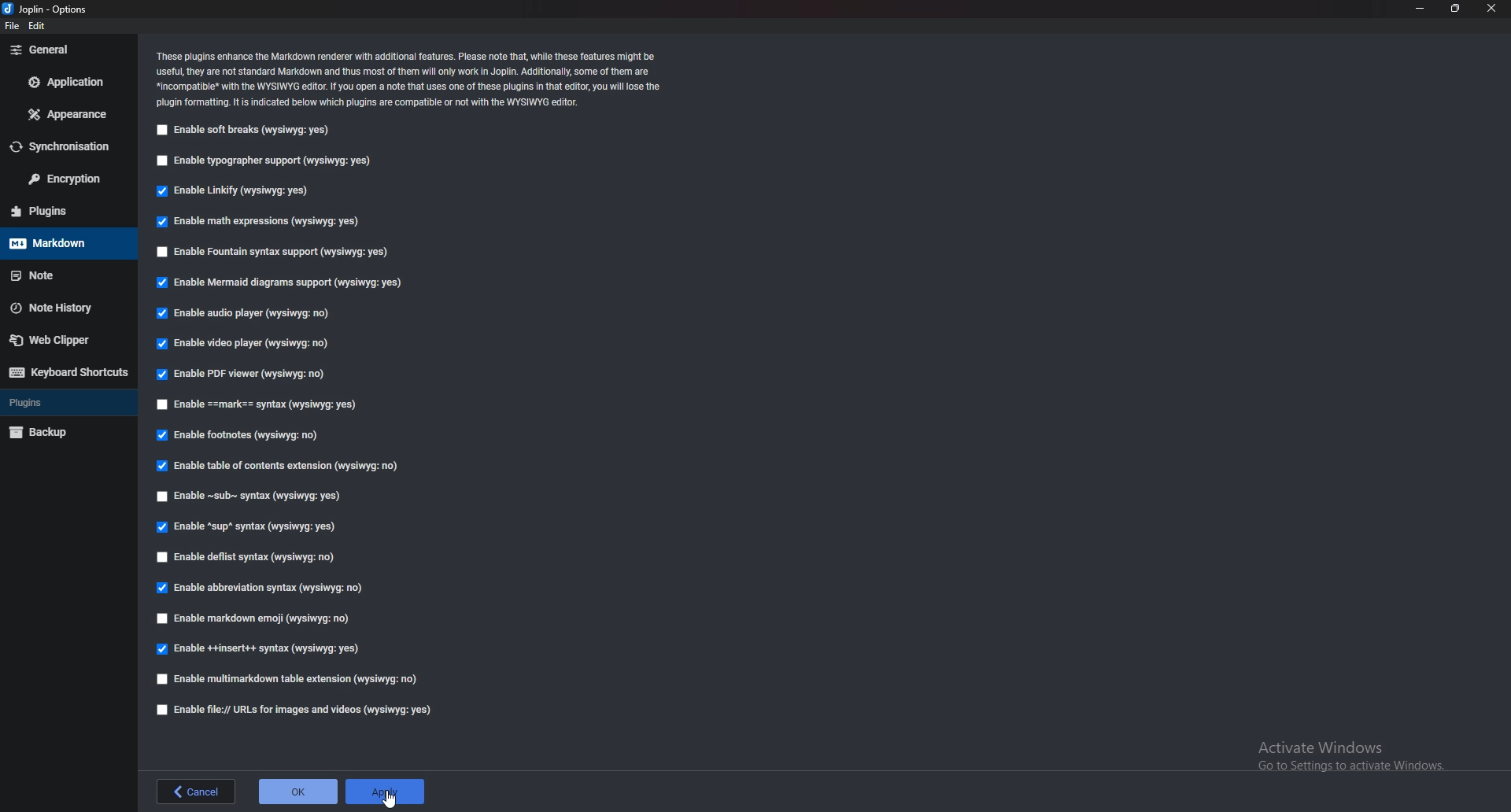  I want to click on Enable linkify, so click(240, 192).